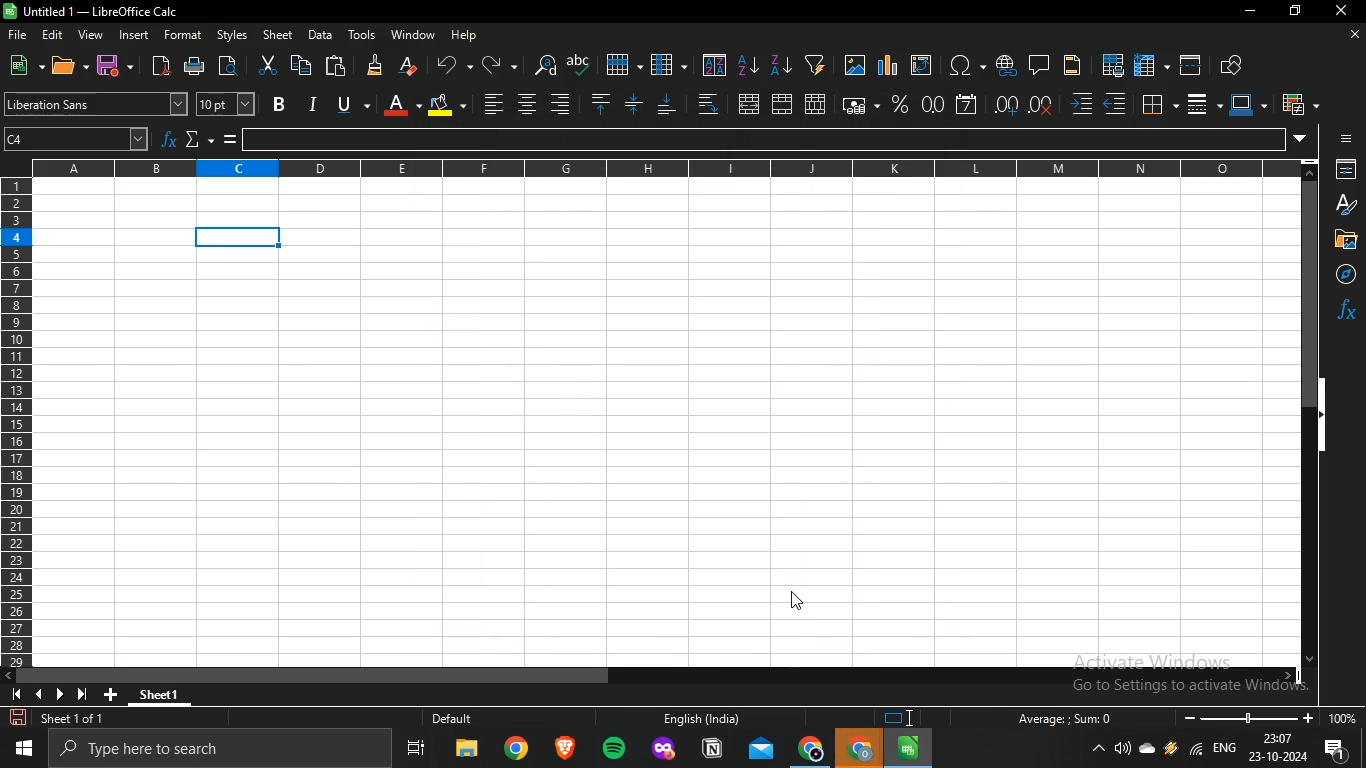  What do you see at coordinates (94, 11) in the screenshot?
I see `Untitled 1 — LibreOffice Calc` at bounding box center [94, 11].